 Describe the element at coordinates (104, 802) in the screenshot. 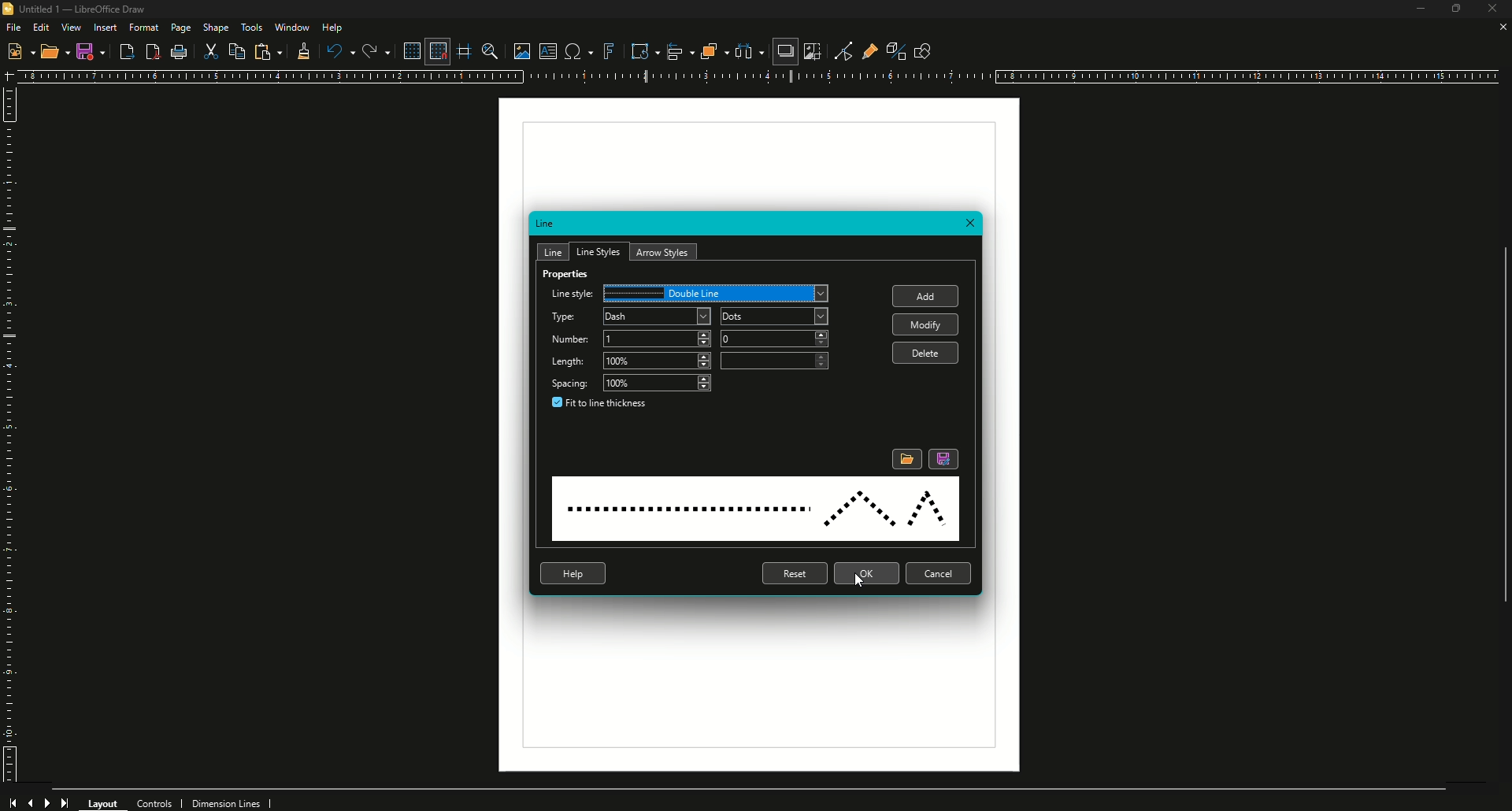

I see `Layout` at that location.